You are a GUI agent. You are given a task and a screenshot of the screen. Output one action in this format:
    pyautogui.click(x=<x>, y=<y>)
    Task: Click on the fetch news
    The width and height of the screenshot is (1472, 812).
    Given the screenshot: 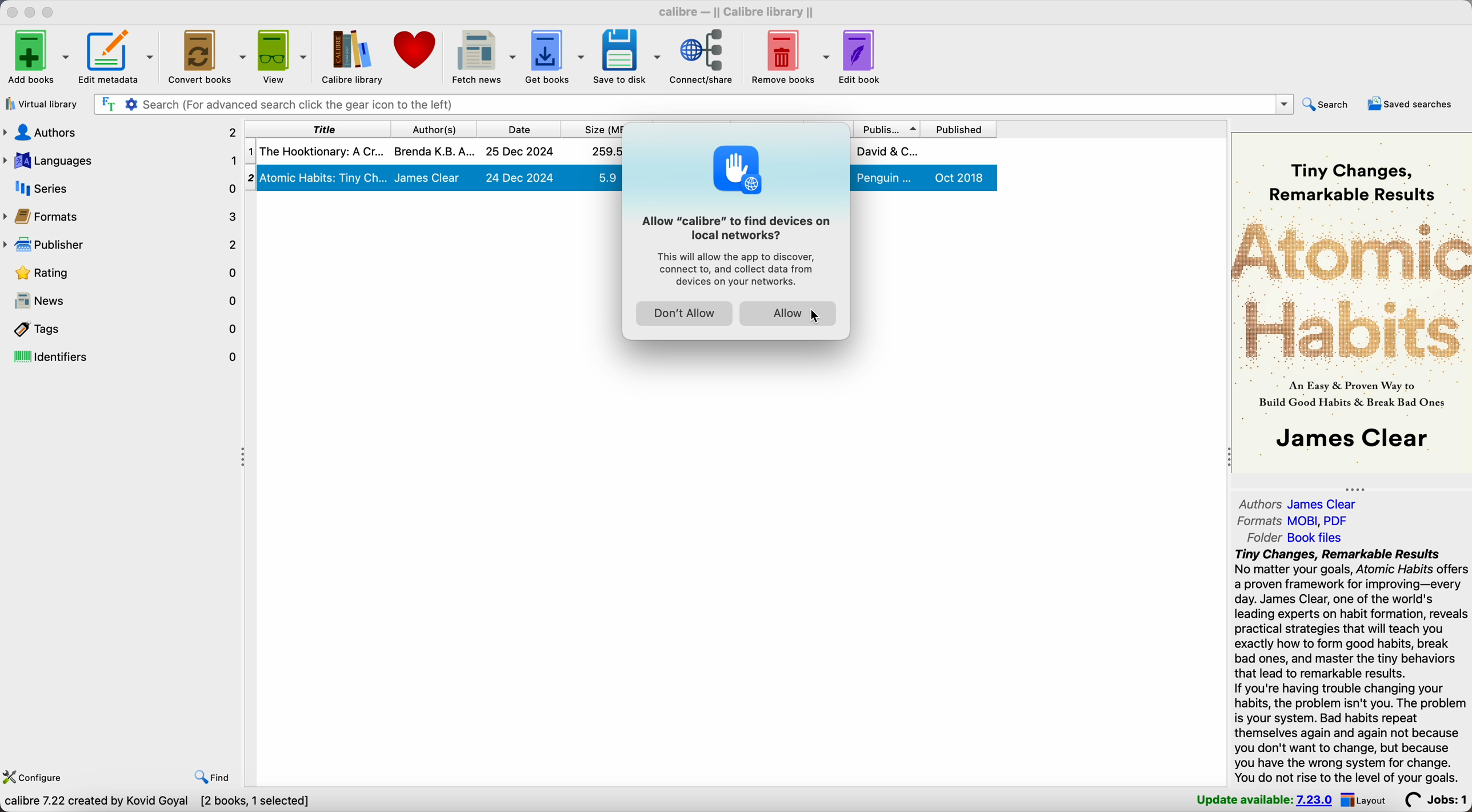 What is the action you would take?
    pyautogui.click(x=484, y=56)
    